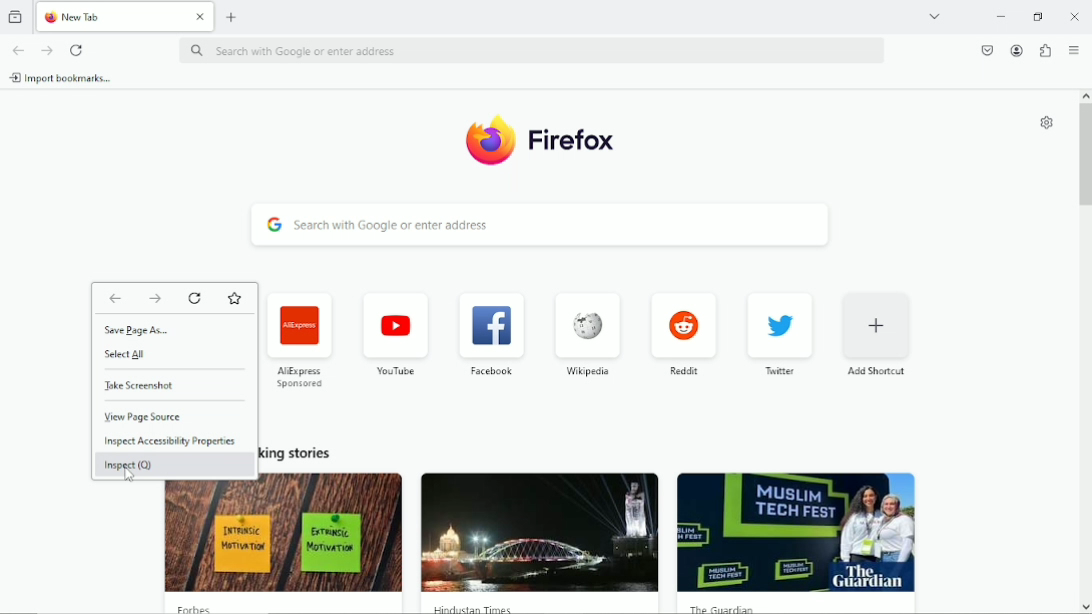 This screenshot has height=614, width=1092. What do you see at coordinates (114, 296) in the screenshot?
I see `Go back` at bounding box center [114, 296].